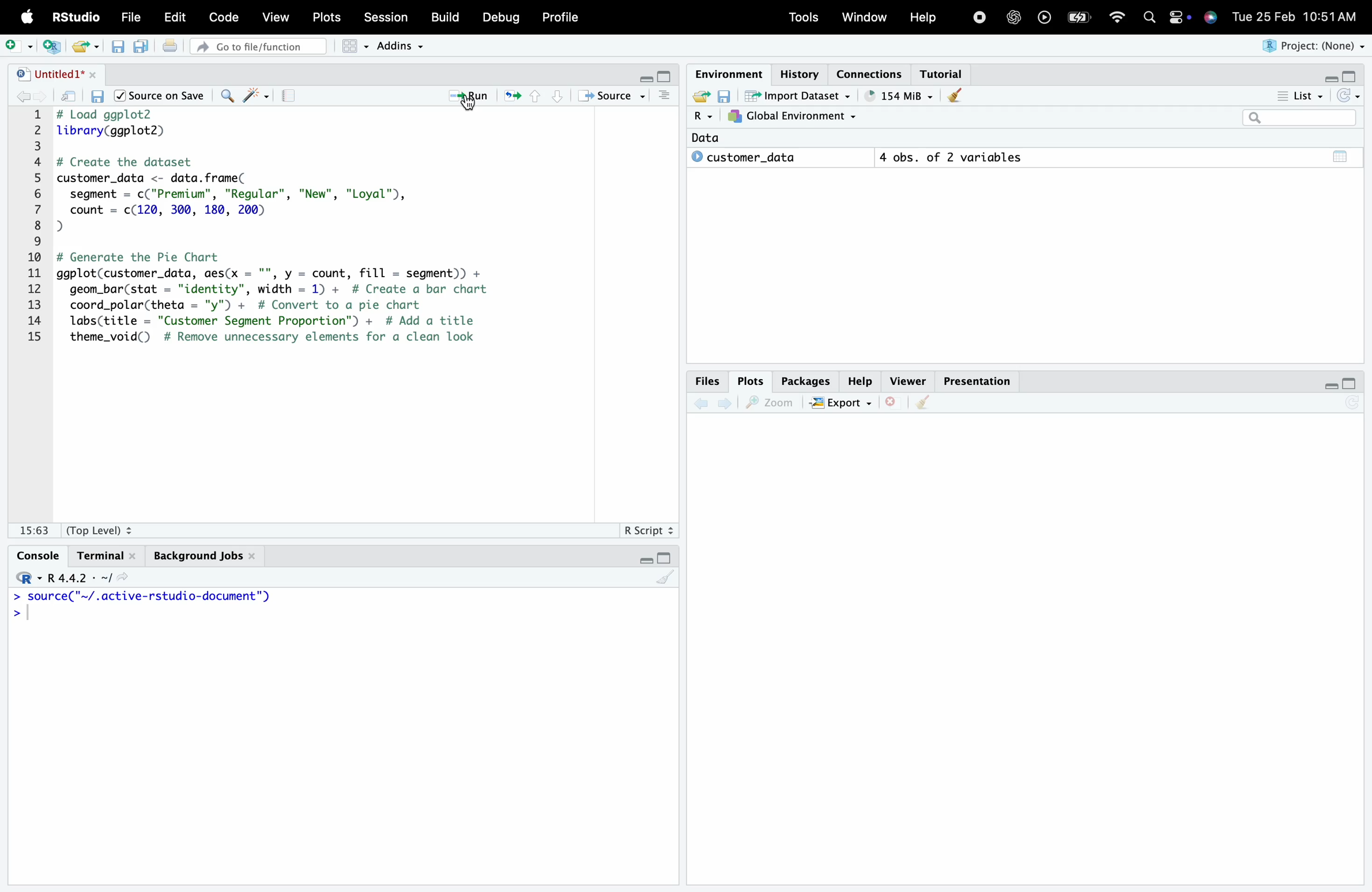 The height and width of the screenshot is (892, 1372). Describe the element at coordinates (566, 16) in the screenshot. I see `Profile` at that location.